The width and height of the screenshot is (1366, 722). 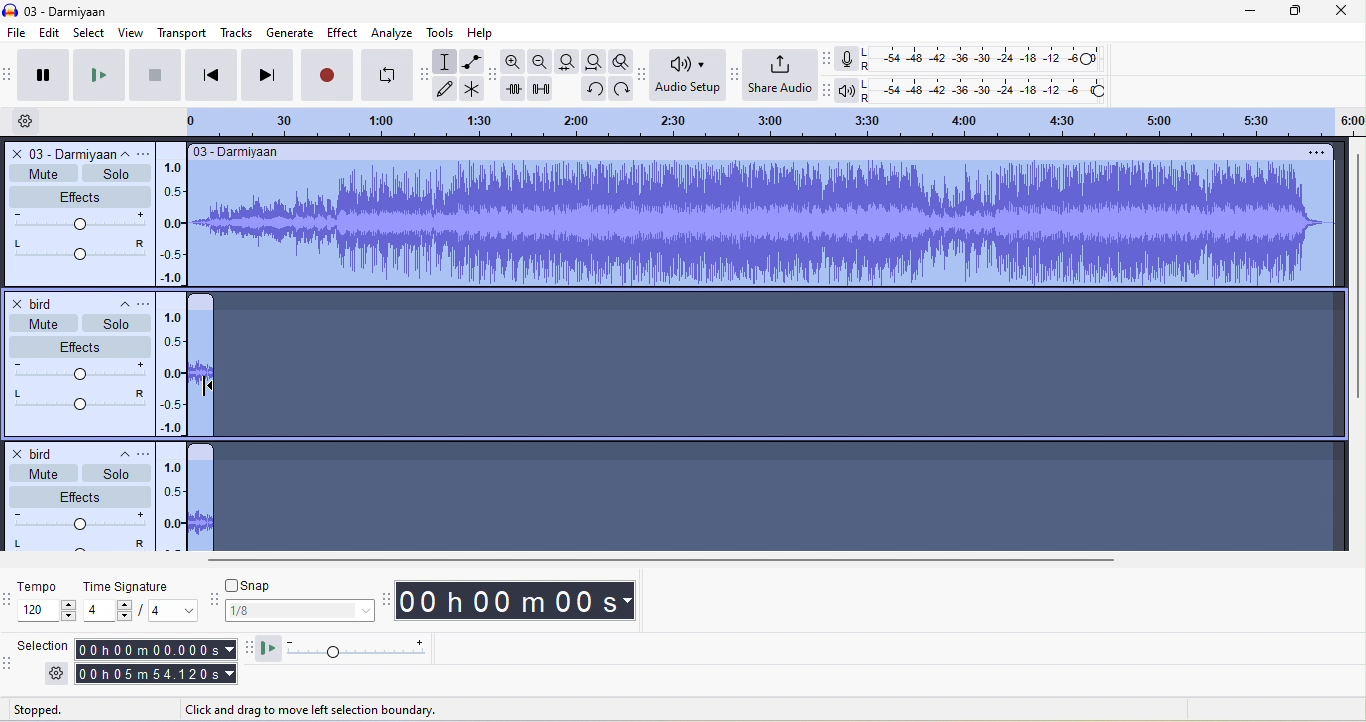 What do you see at coordinates (78, 251) in the screenshot?
I see `pan: center` at bounding box center [78, 251].